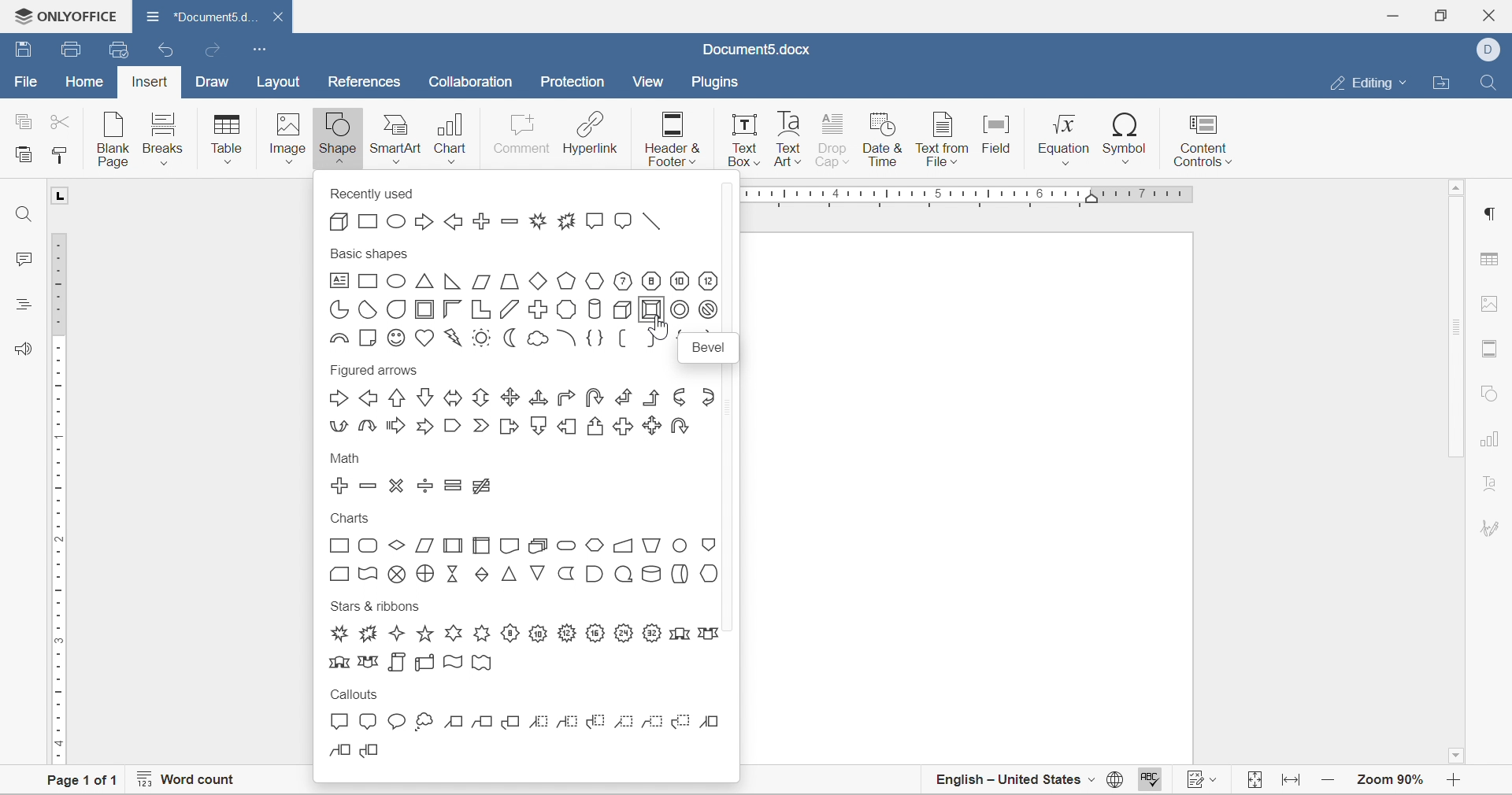 This screenshot has width=1512, height=795. I want to click on restore down, so click(1440, 13).